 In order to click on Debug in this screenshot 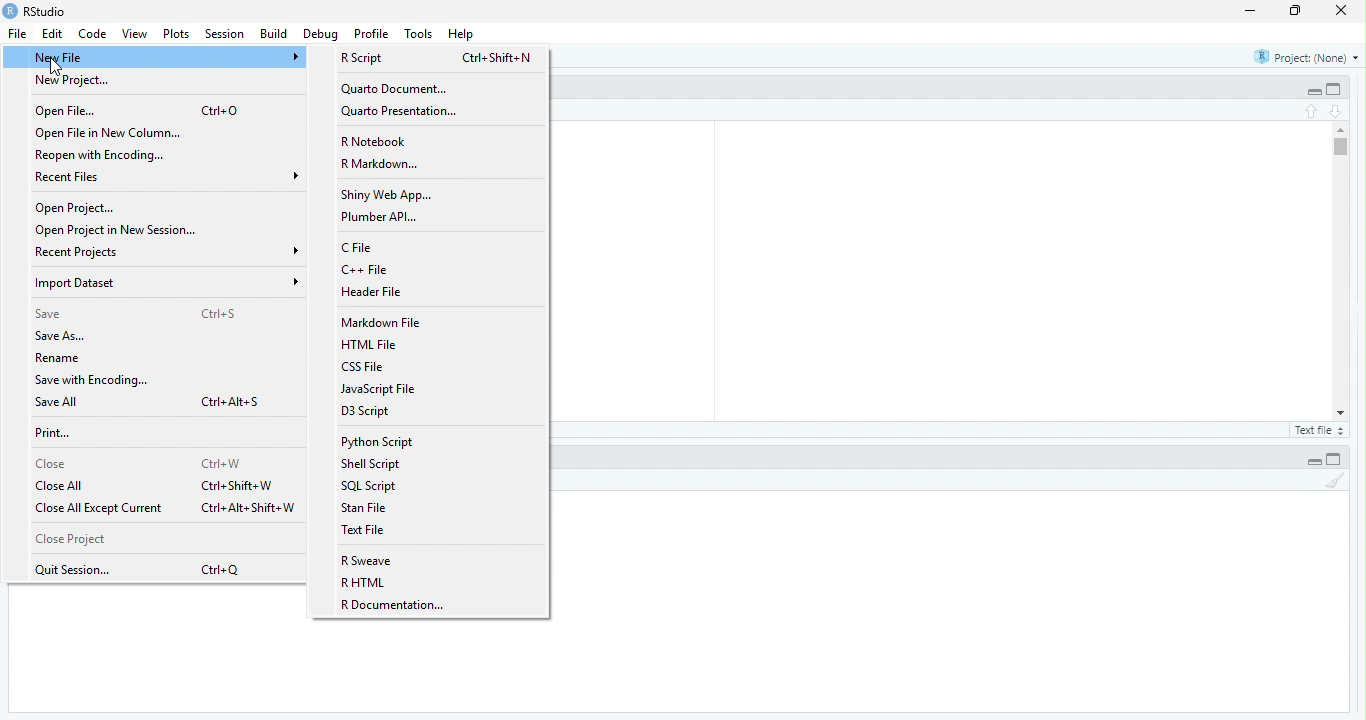, I will do `click(323, 35)`.